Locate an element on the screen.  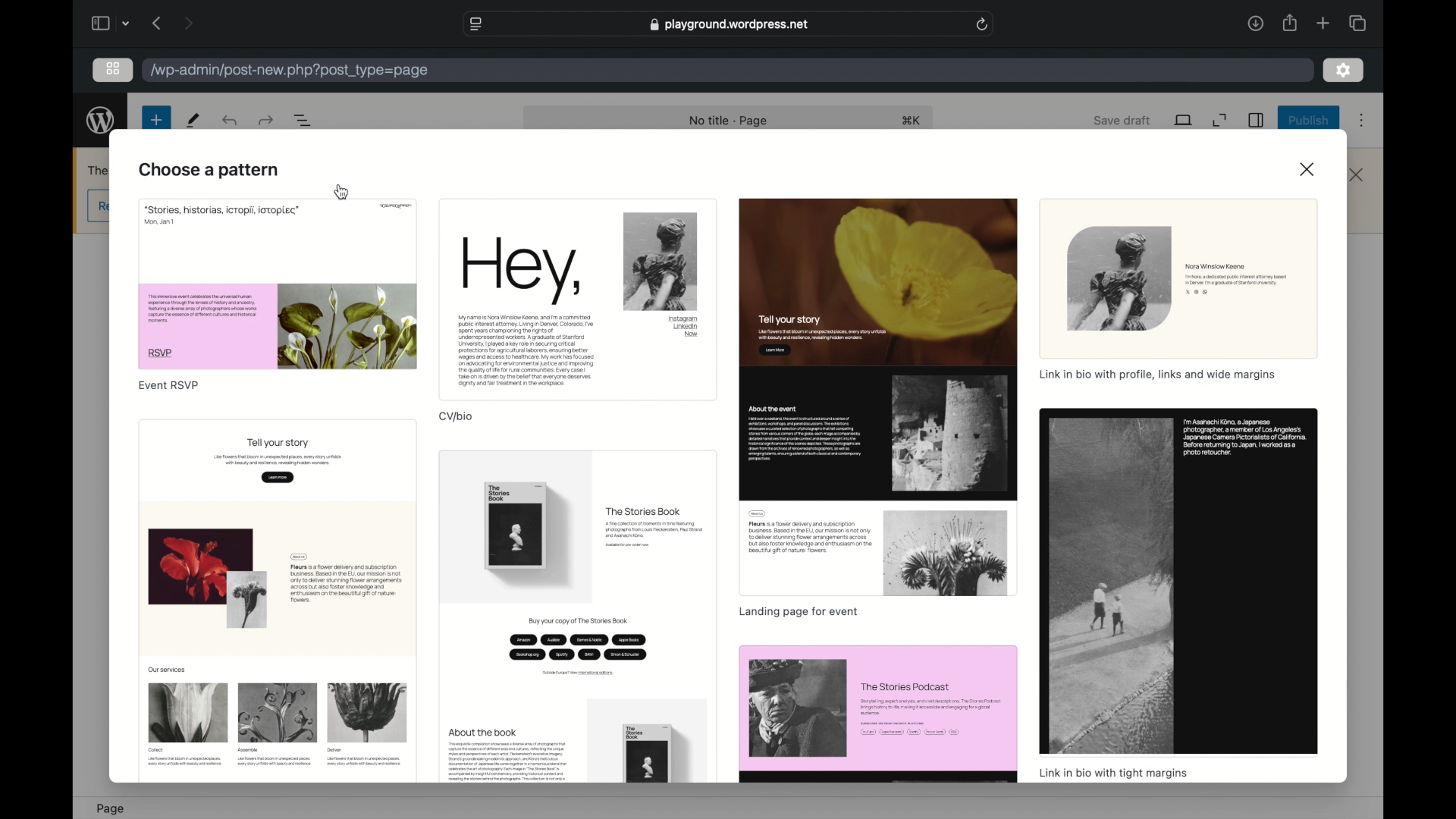
redo is located at coordinates (231, 120).